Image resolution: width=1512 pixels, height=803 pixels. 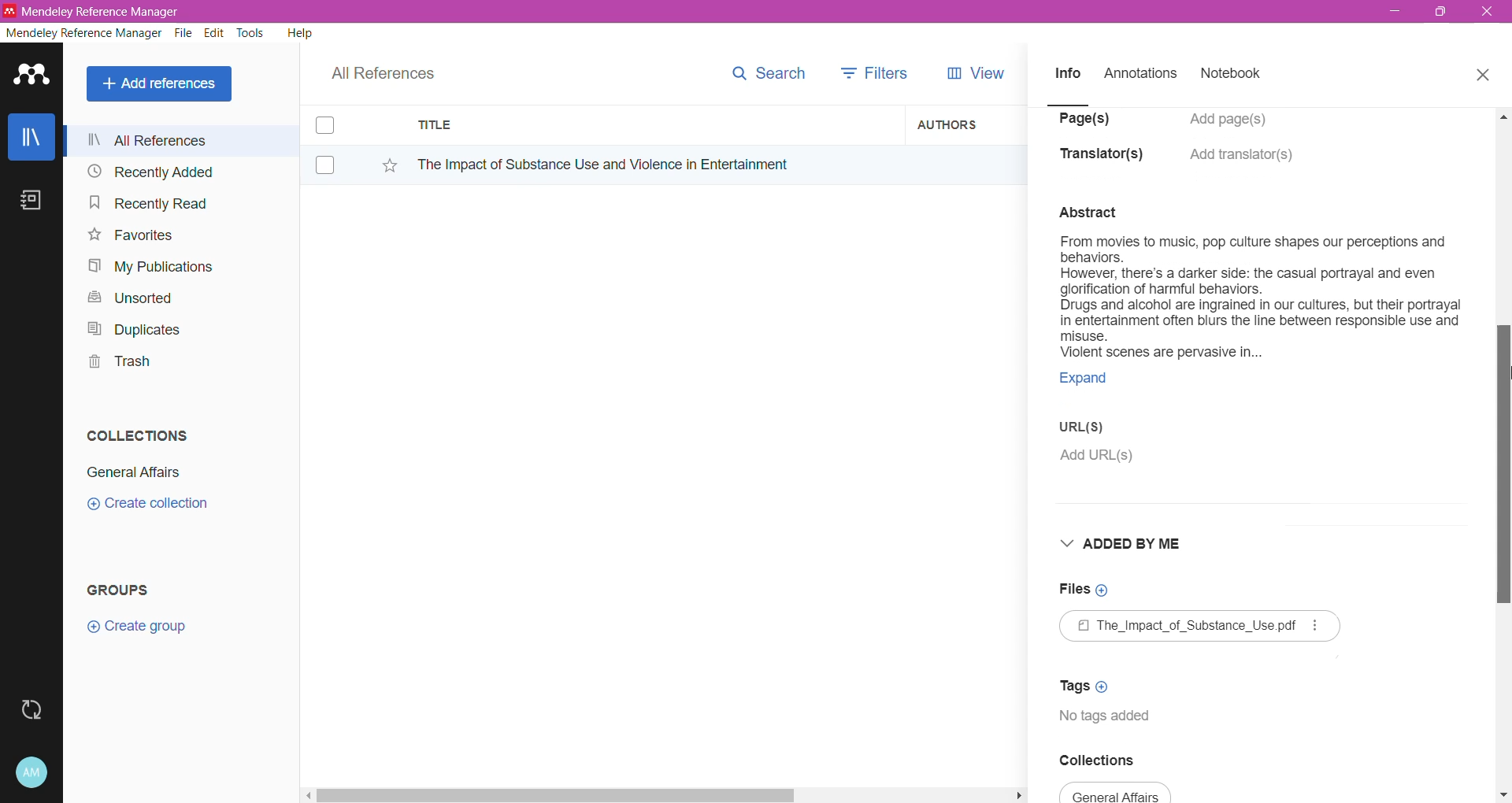 What do you see at coordinates (1069, 75) in the screenshot?
I see `info` at bounding box center [1069, 75].